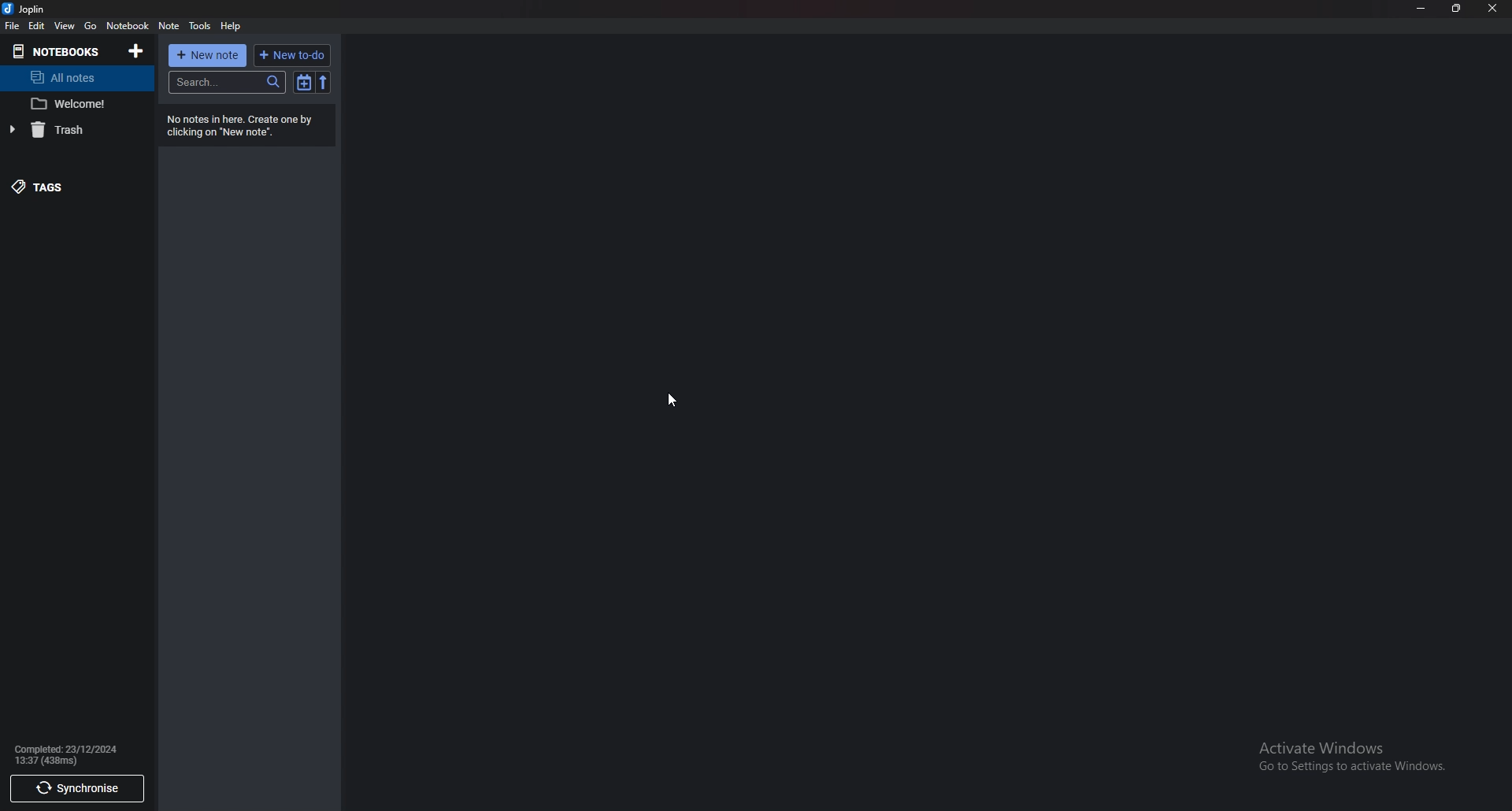  What do you see at coordinates (66, 131) in the screenshot?
I see `trash` at bounding box center [66, 131].